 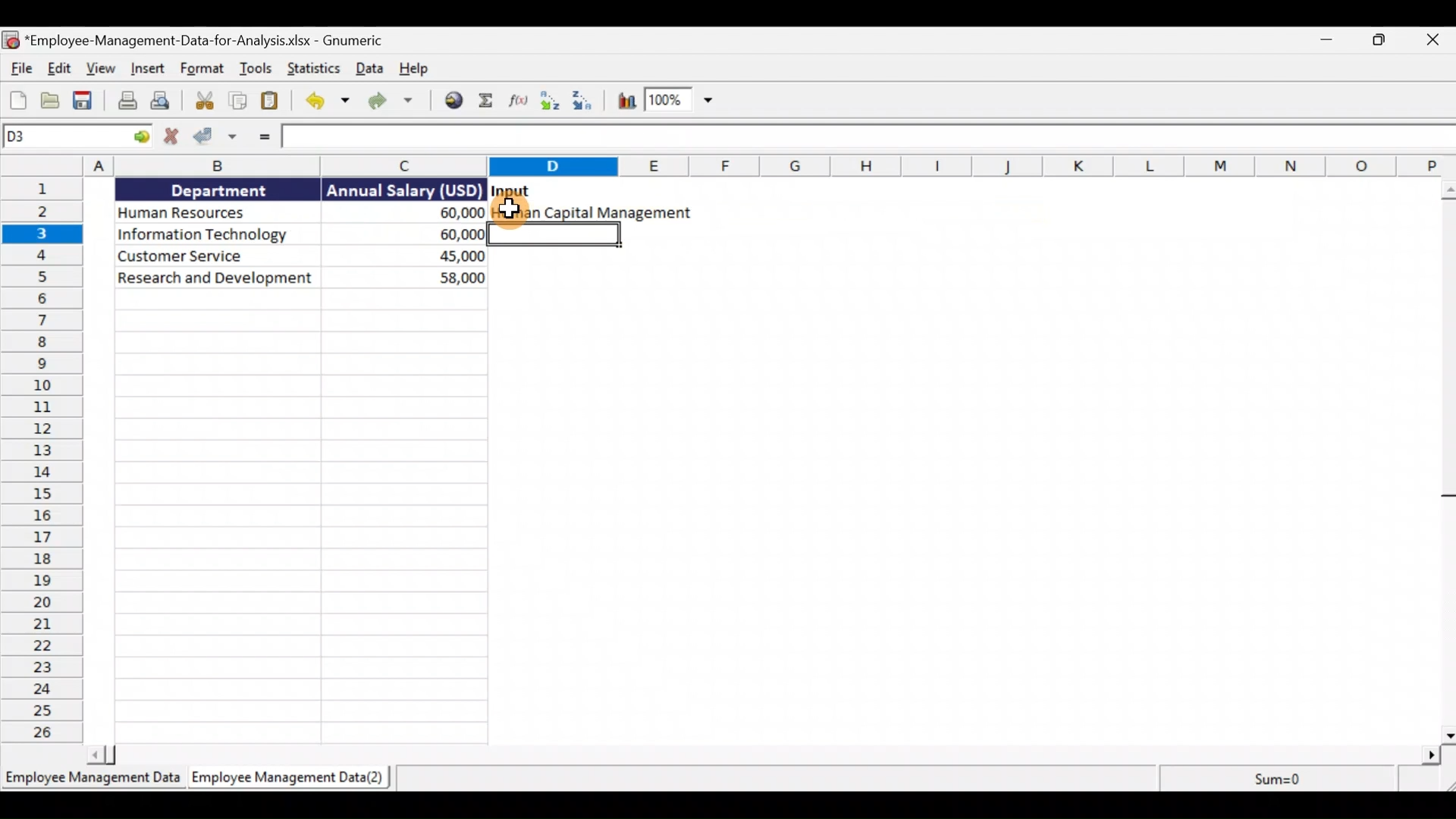 I want to click on Minimise, so click(x=1323, y=40).